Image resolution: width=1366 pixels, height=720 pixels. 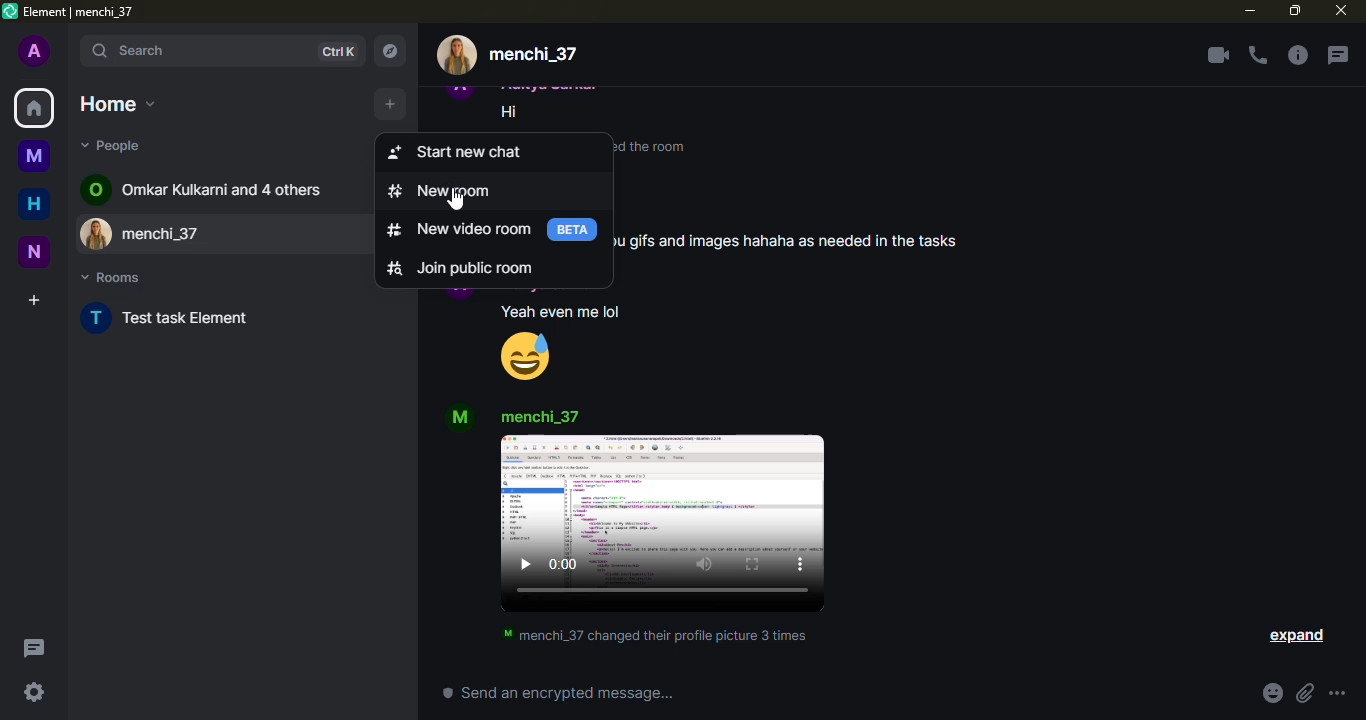 I want to click on create space, so click(x=34, y=300).